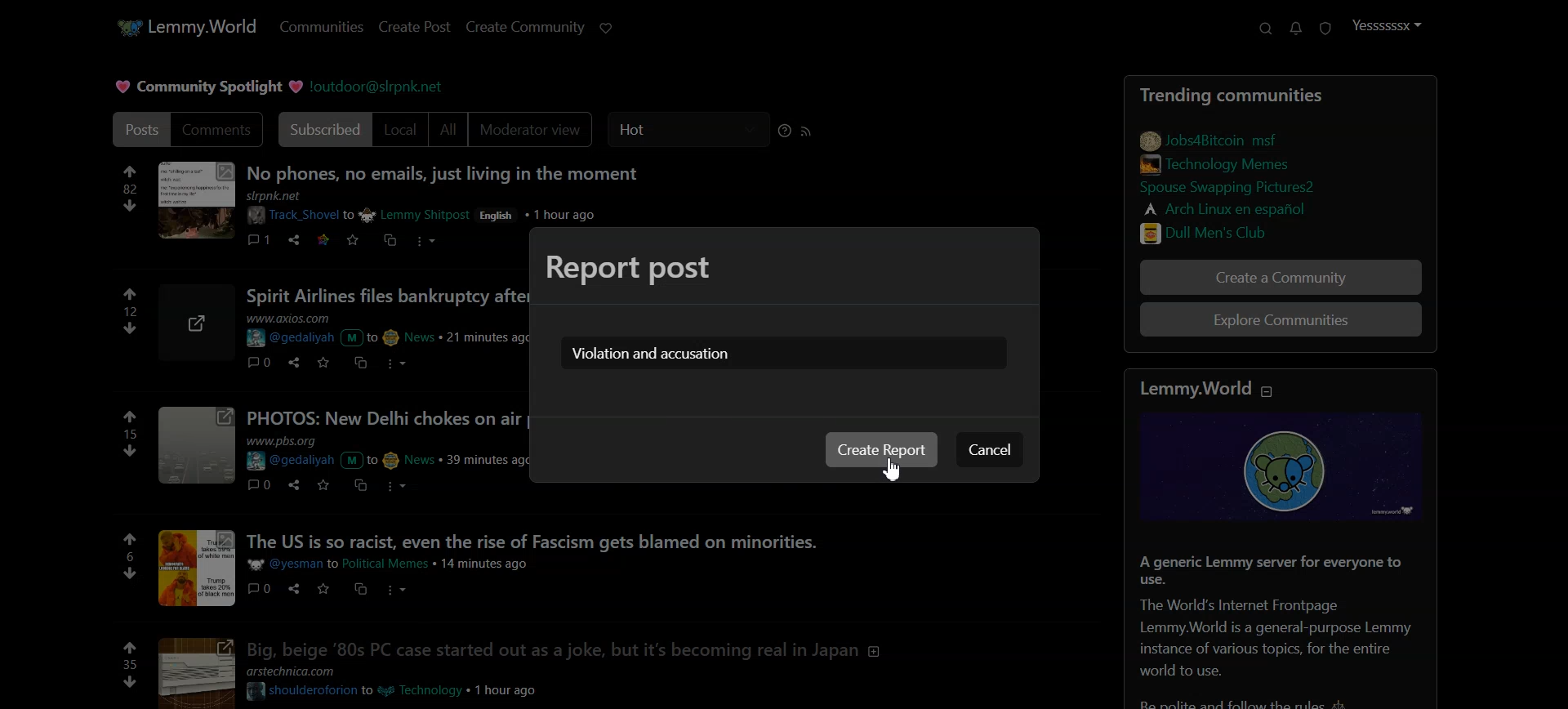 Image resolution: width=1568 pixels, height=709 pixels. Describe the element at coordinates (198, 568) in the screenshot. I see `post picture` at that location.